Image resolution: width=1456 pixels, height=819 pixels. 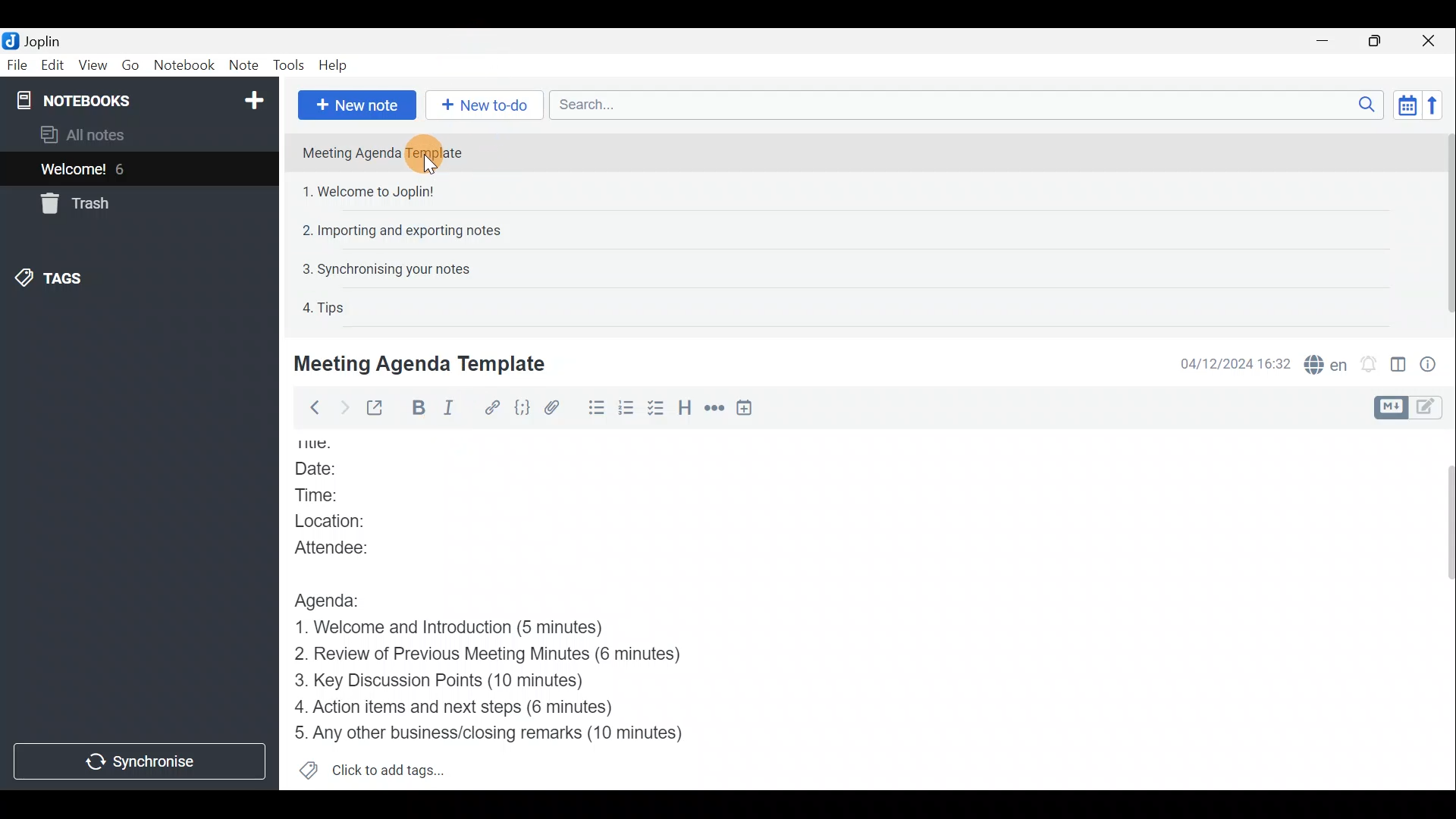 I want to click on Search bar, so click(x=962, y=104).